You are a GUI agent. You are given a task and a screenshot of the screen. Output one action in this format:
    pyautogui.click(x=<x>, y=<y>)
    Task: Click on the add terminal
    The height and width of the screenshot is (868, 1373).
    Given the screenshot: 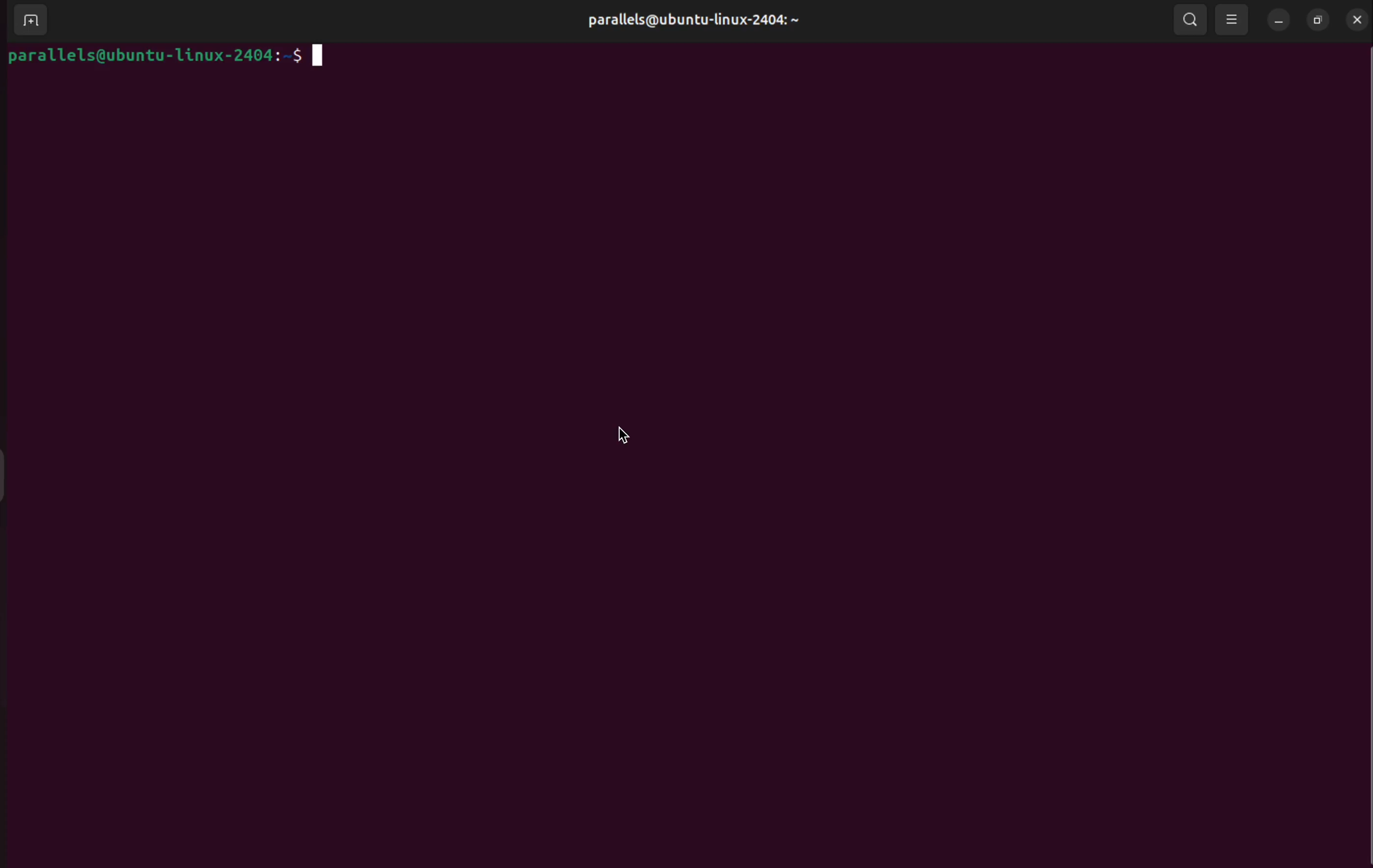 What is the action you would take?
    pyautogui.click(x=28, y=21)
    